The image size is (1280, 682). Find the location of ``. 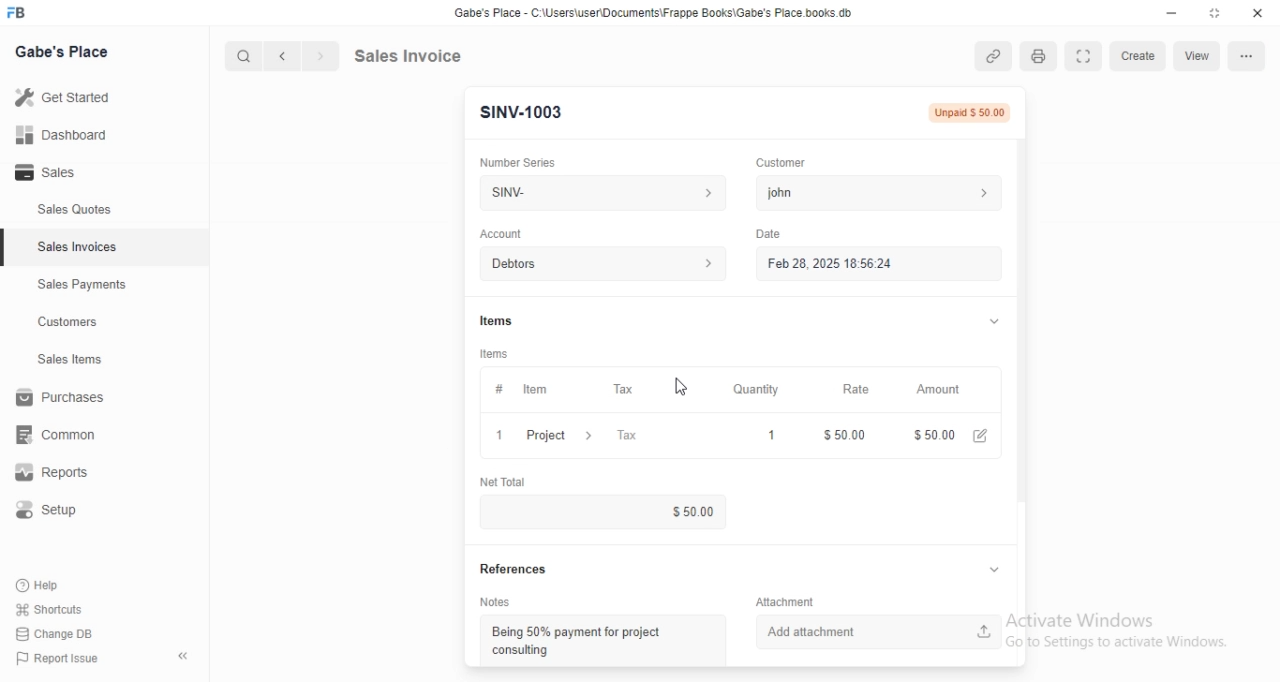

 is located at coordinates (498, 389).